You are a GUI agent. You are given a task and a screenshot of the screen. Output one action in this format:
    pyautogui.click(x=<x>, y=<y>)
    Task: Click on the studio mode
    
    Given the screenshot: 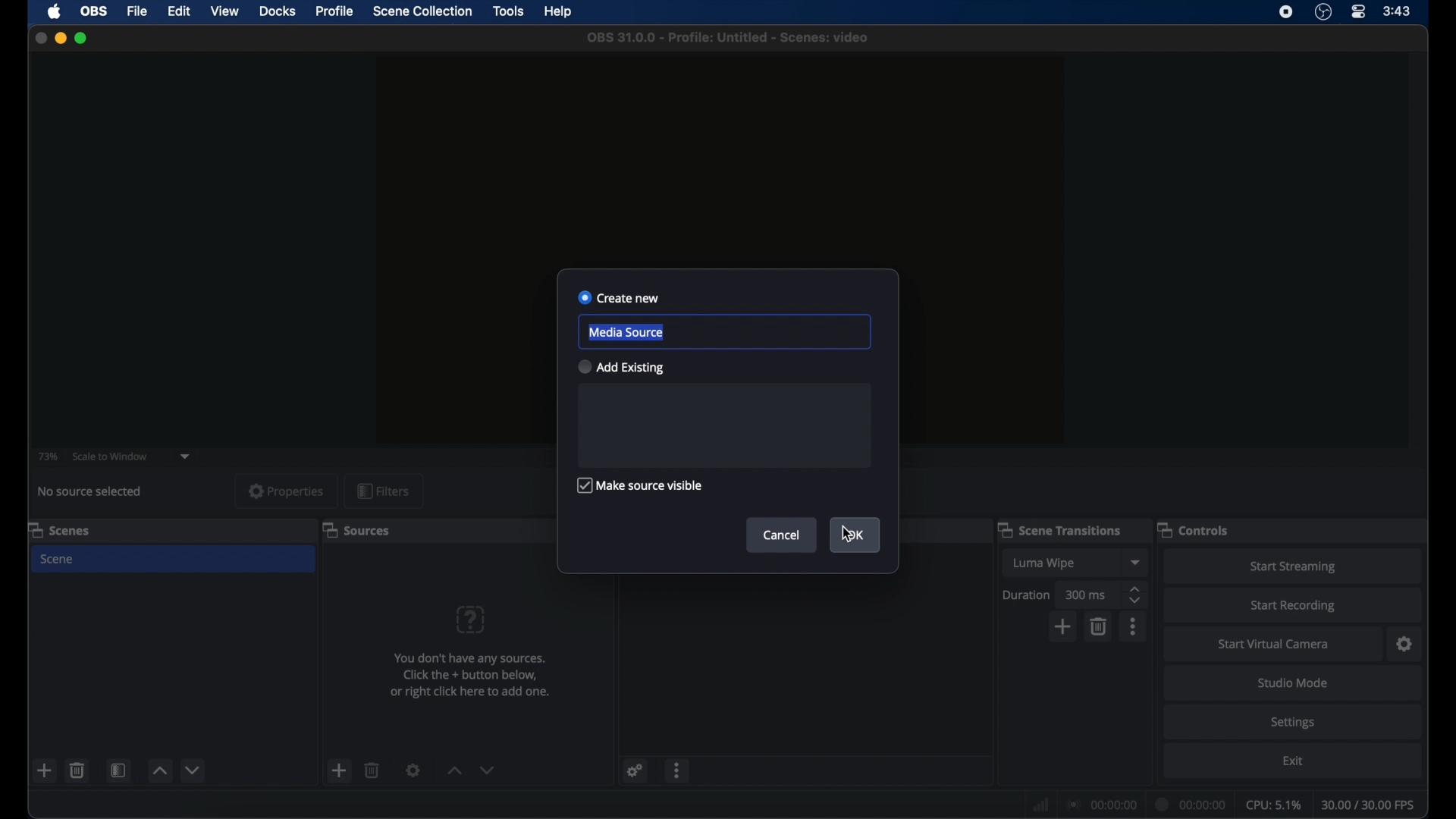 What is the action you would take?
    pyautogui.click(x=1294, y=683)
    